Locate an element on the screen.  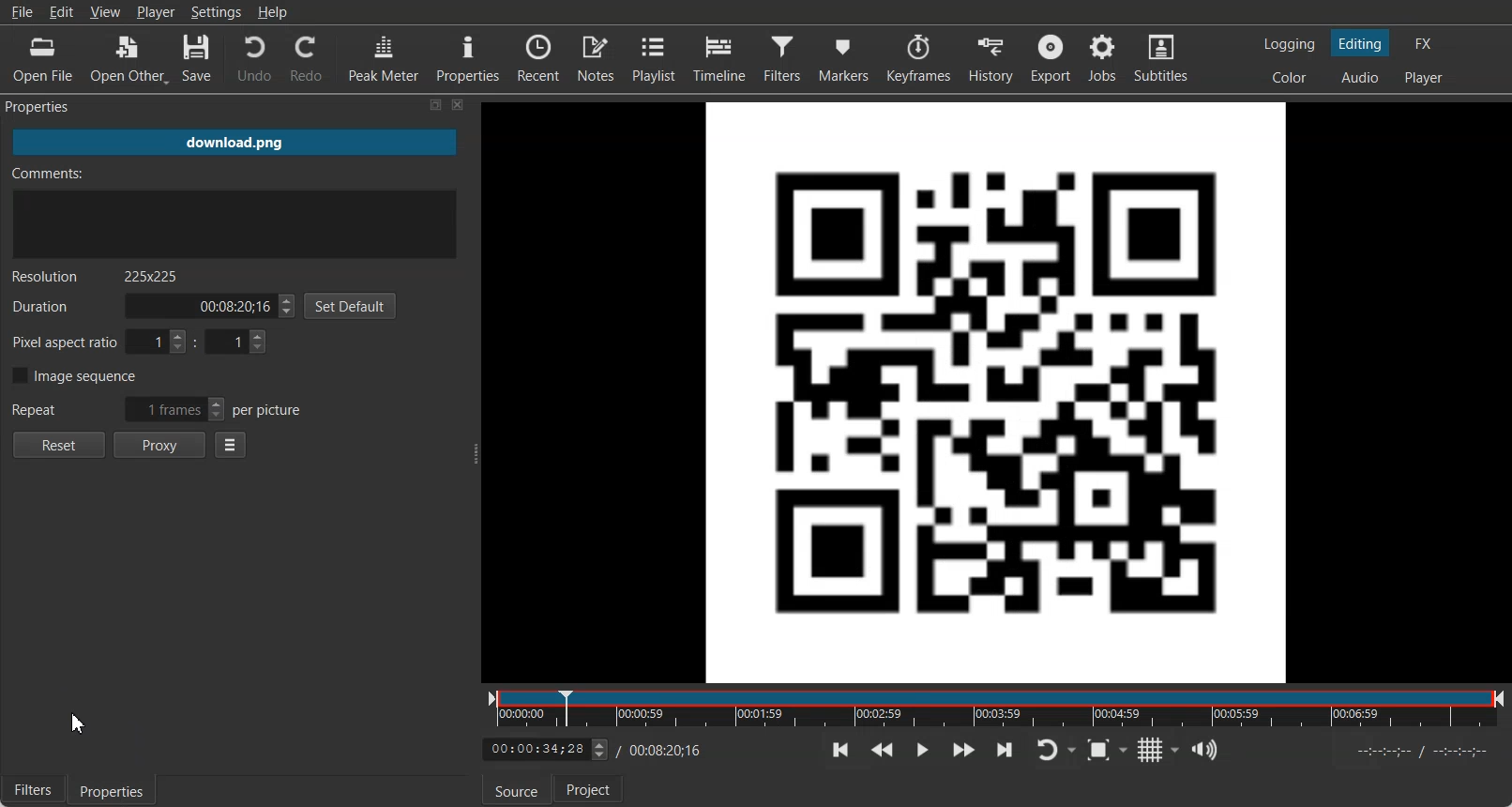
Recent is located at coordinates (538, 57).